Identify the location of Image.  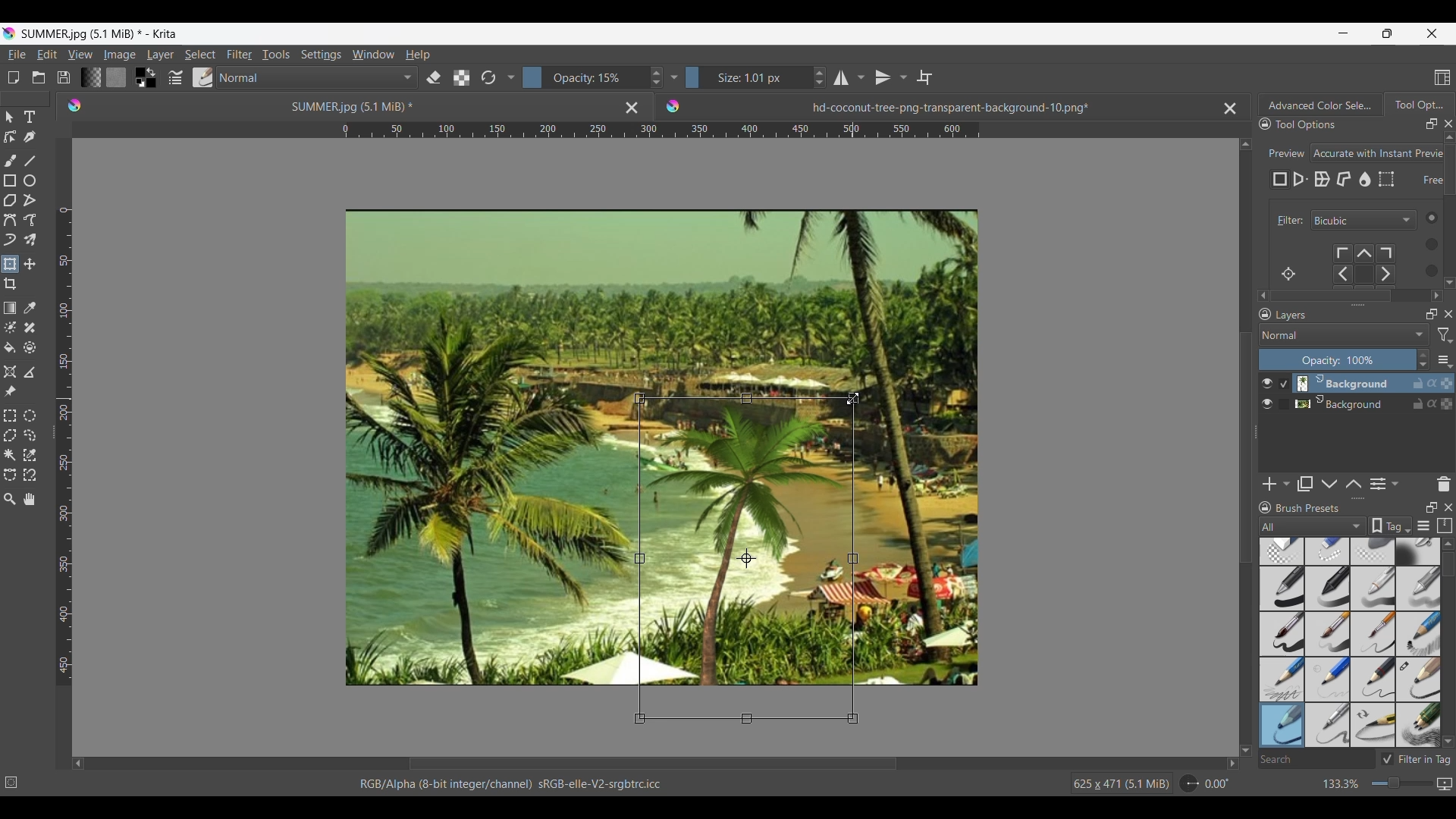
(119, 55).